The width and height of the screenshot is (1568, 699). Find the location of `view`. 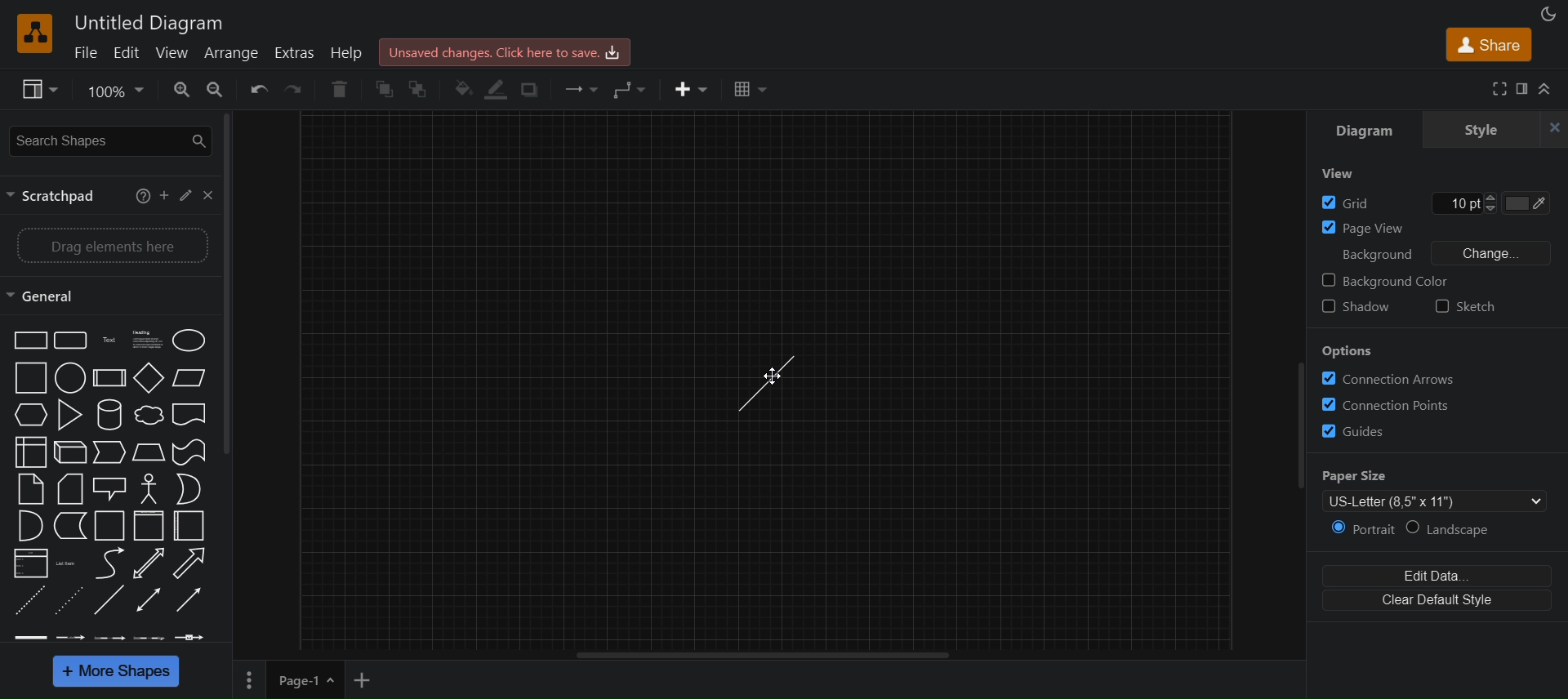

view is located at coordinates (1345, 176).